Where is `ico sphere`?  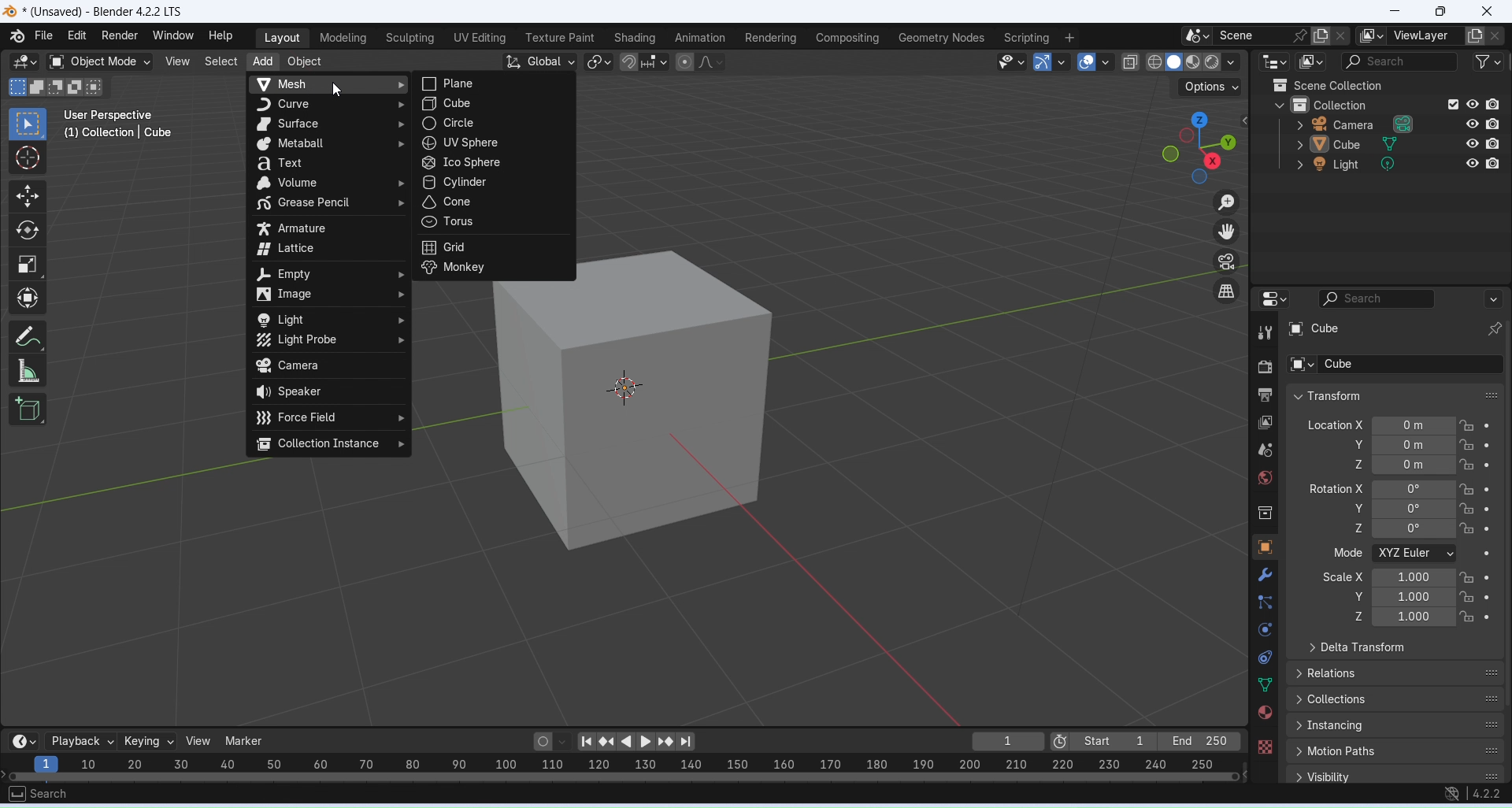
ico sphere is located at coordinates (491, 162).